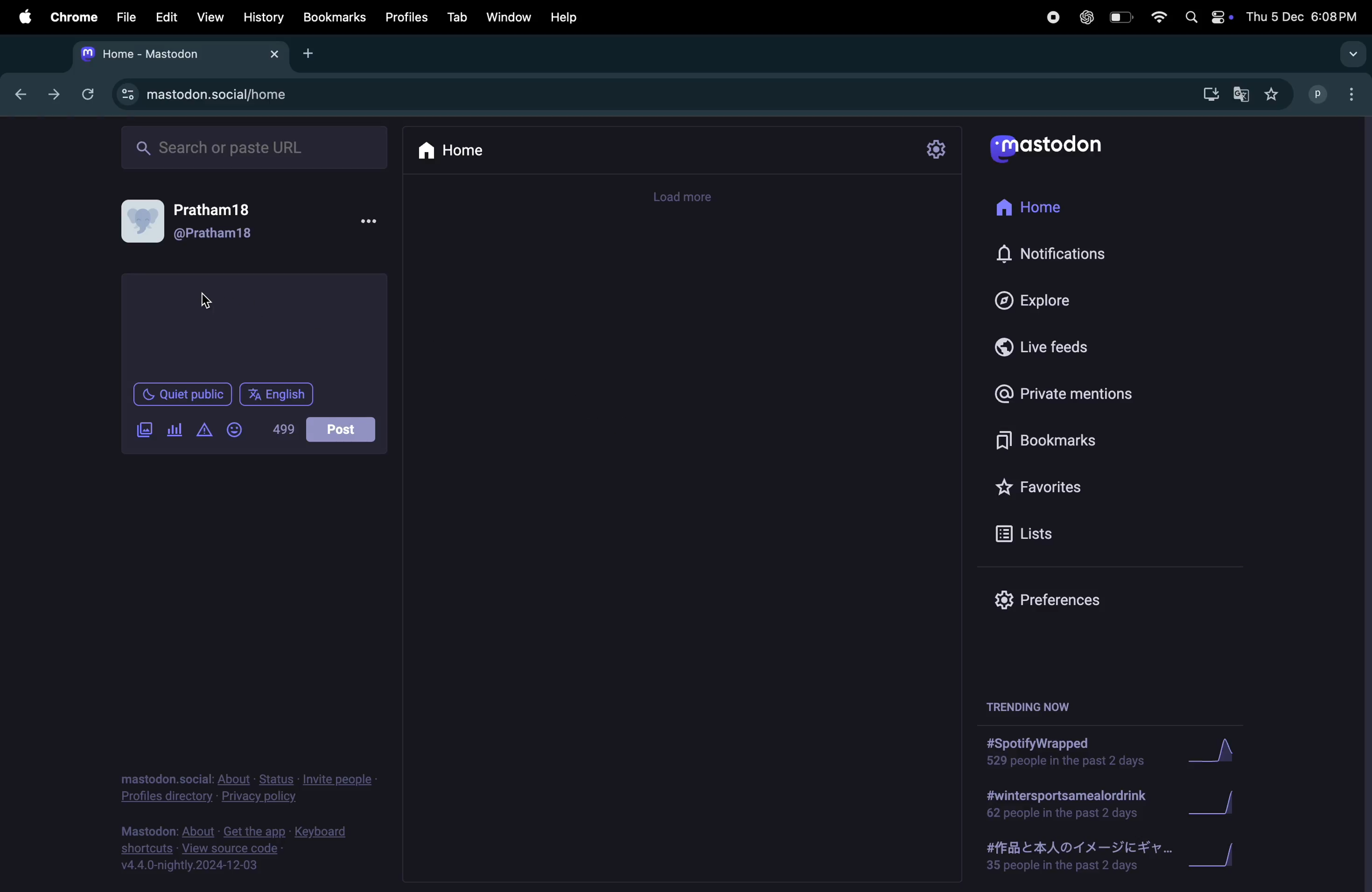 The image size is (1372, 892). Describe the element at coordinates (201, 225) in the screenshot. I see `user profile` at that location.